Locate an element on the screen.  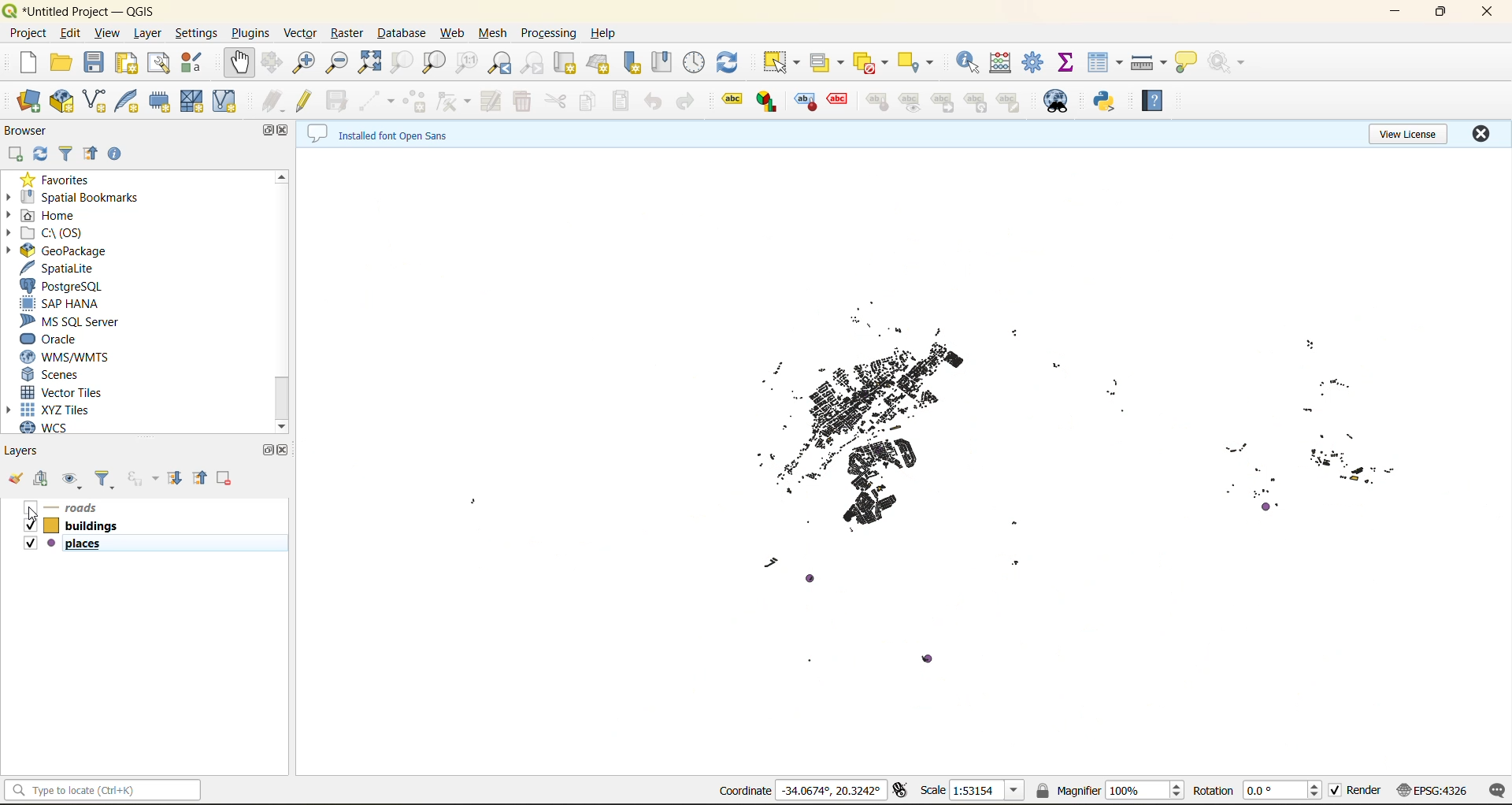
settings is located at coordinates (196, 34).